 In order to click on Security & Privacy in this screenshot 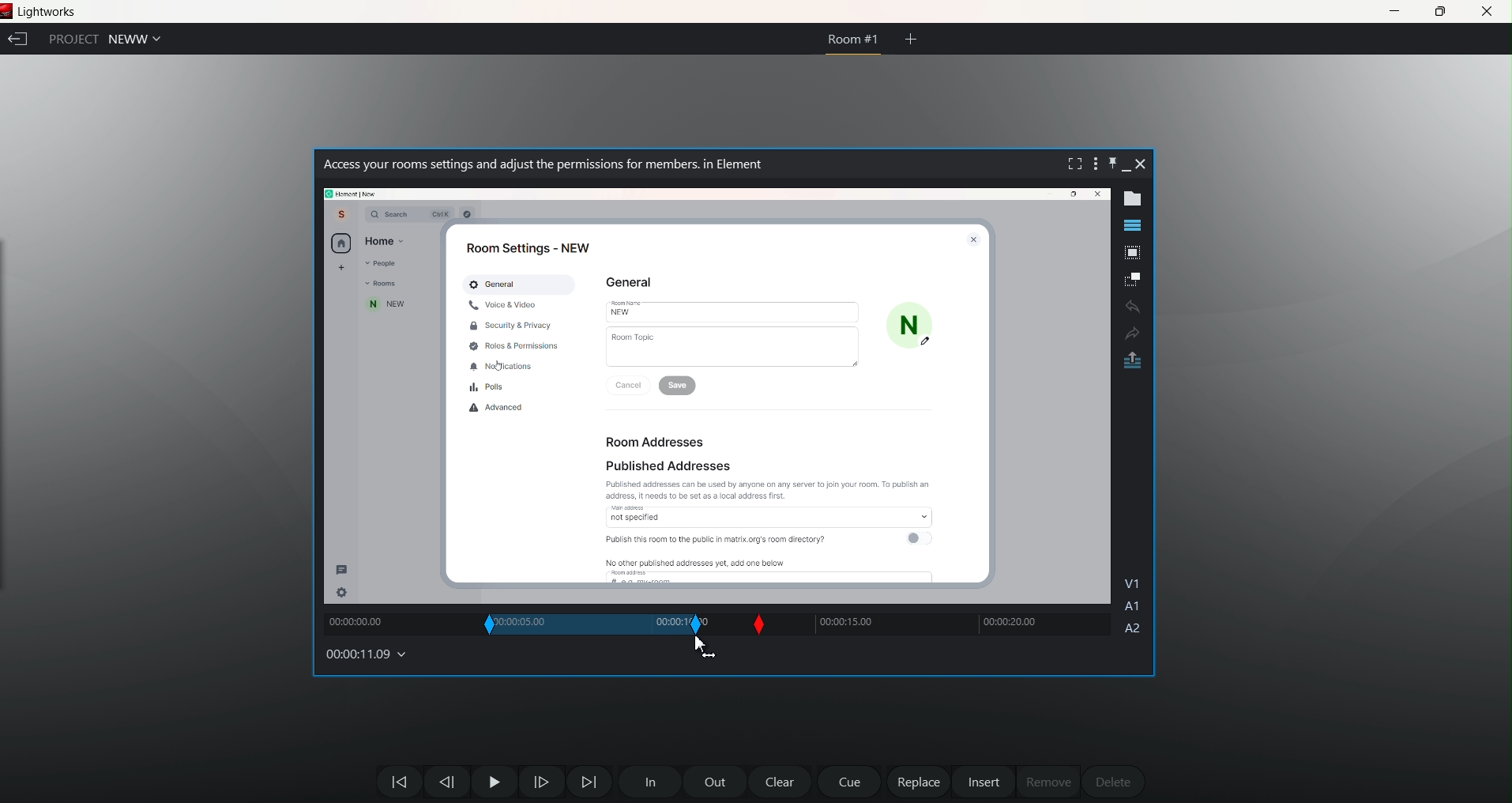, I will do `click(511, 325)`.